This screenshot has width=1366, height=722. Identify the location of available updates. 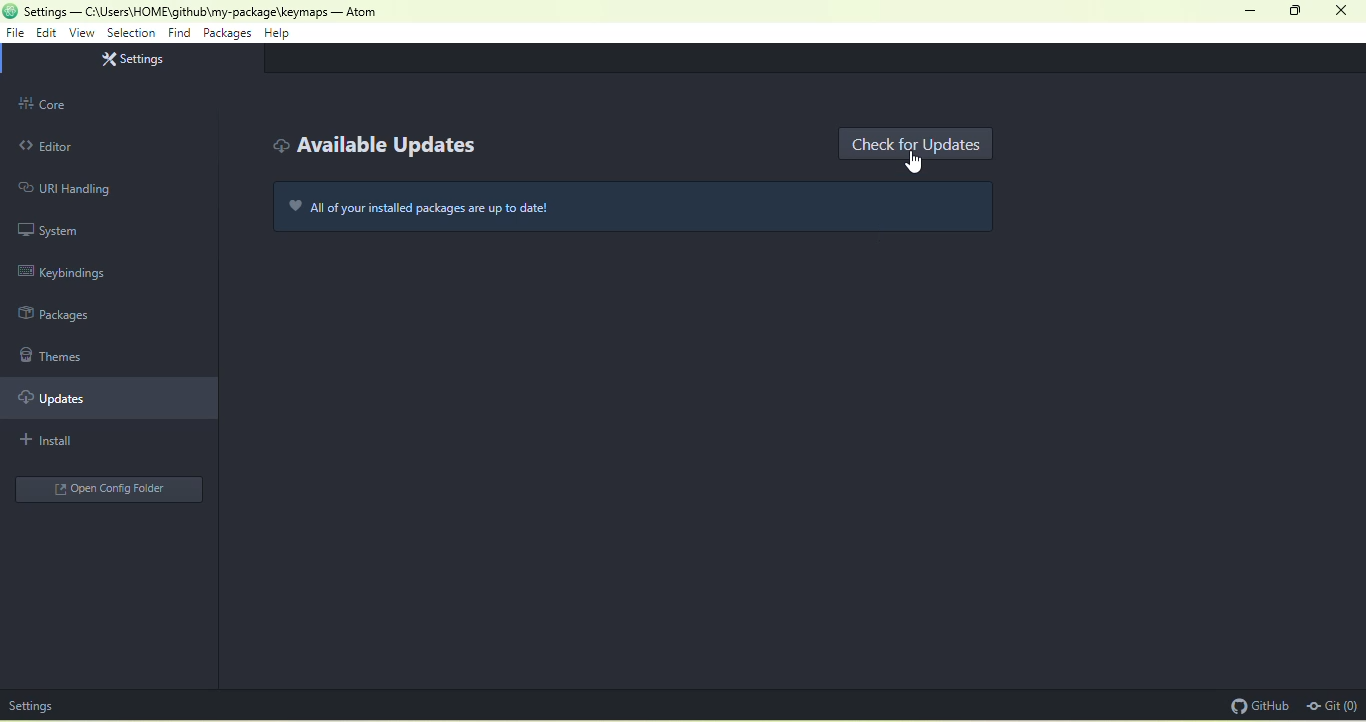
(373, 147).